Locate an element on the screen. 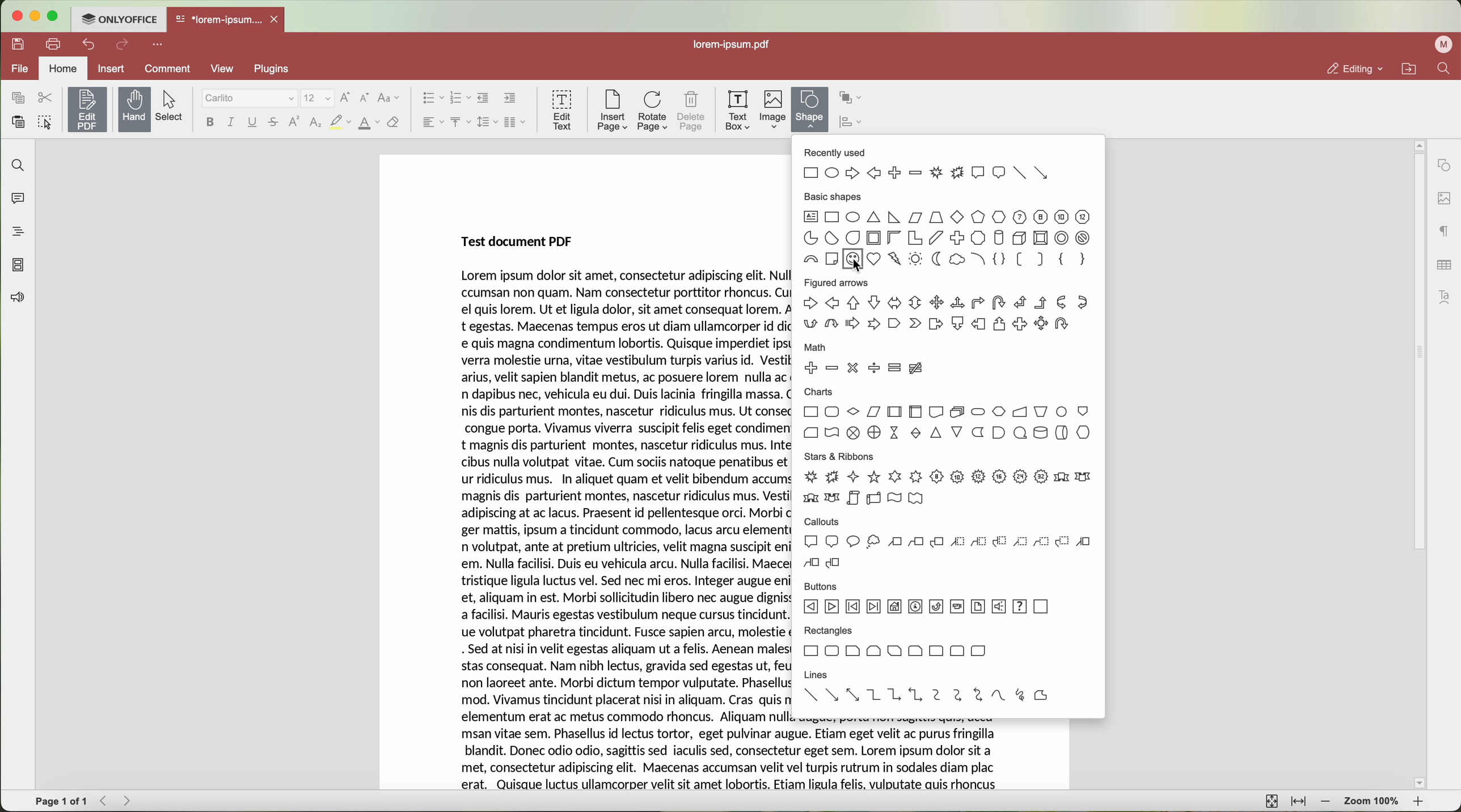 Image resolution: width=1461 pixels, height=812 pixels. fit to page is located at coordinates (1270, 801).